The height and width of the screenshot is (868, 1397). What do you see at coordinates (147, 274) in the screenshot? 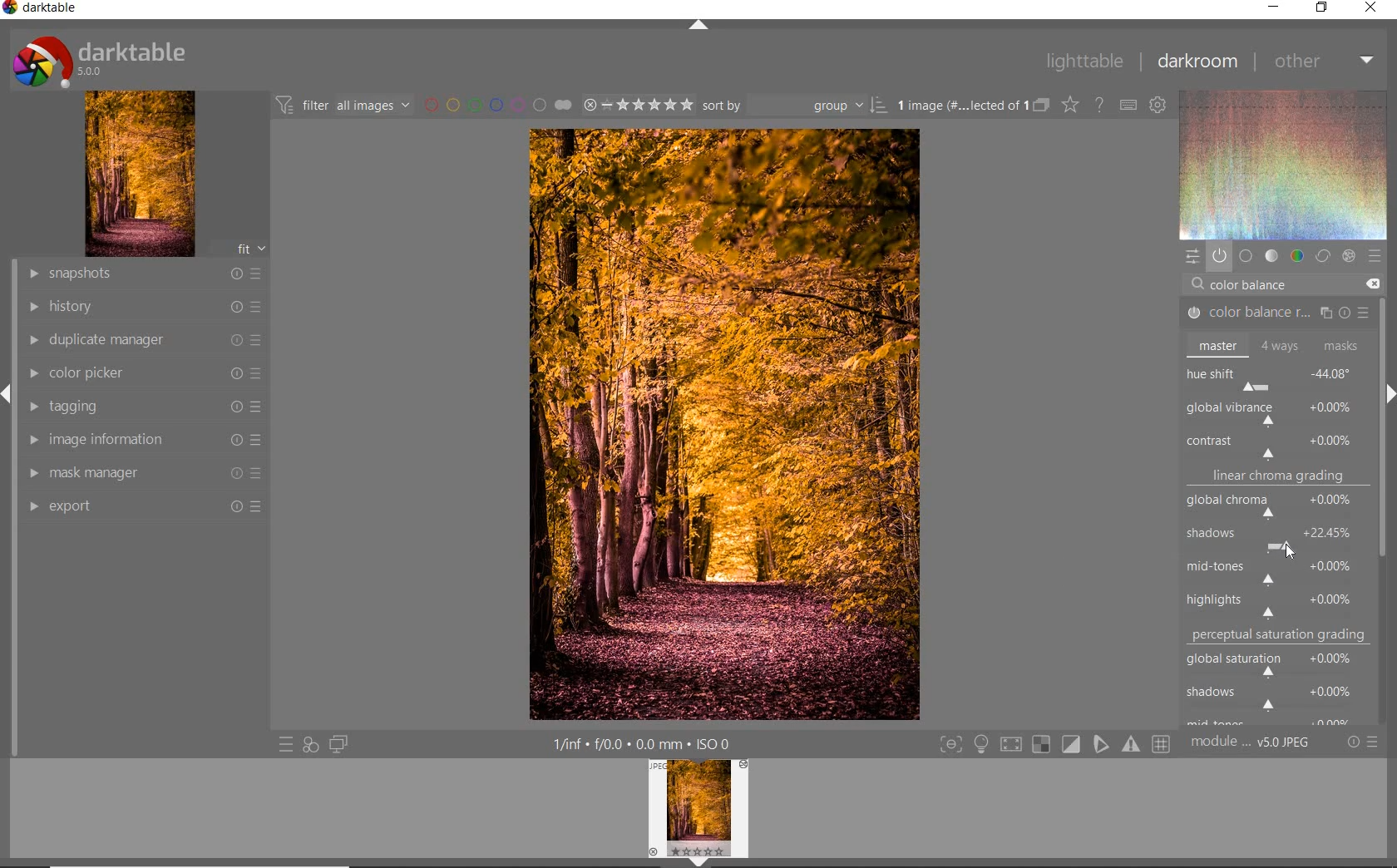
I see `snapshots` at bounding box center [147, 274].